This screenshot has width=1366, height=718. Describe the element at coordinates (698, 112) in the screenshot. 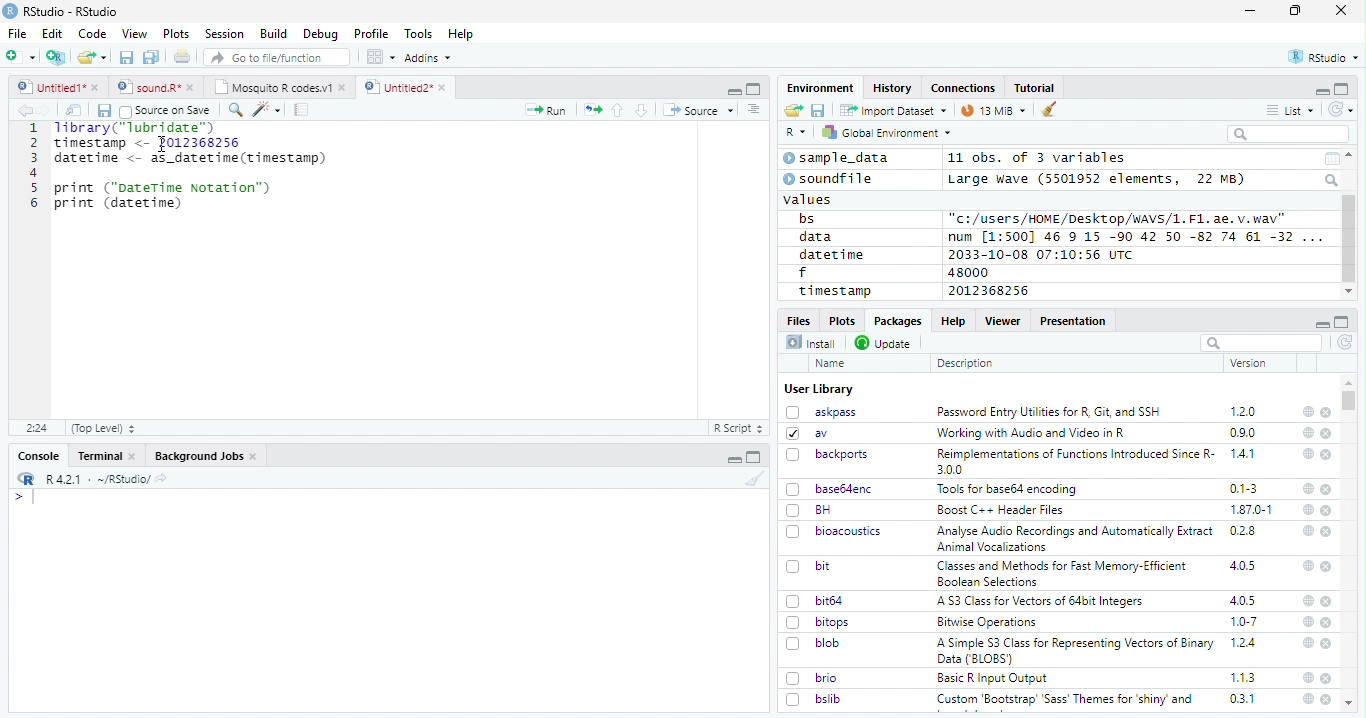

I see `Source` at that location.